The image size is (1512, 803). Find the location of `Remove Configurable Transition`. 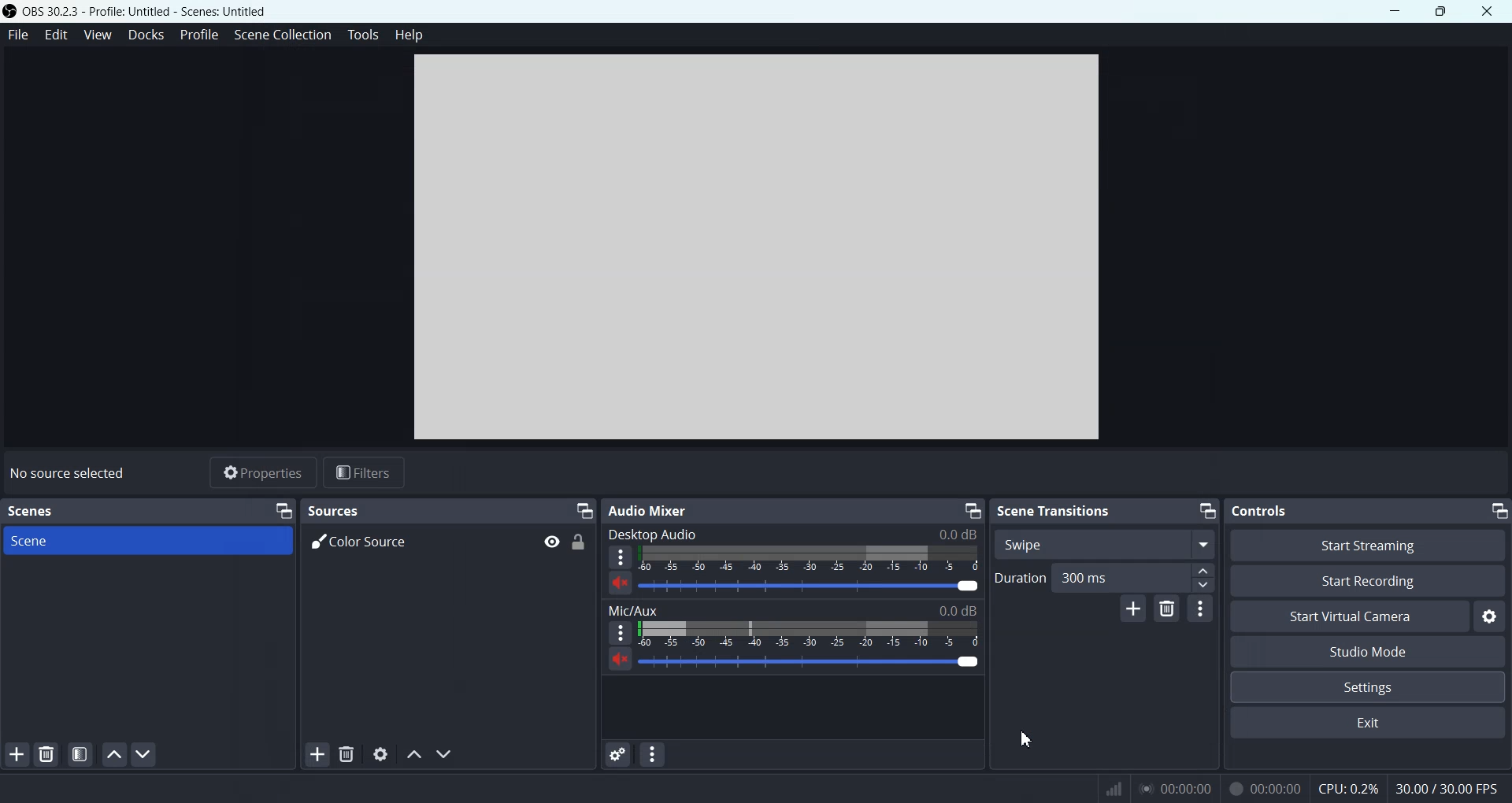

Remove Configurable Transition is located at coordinates (1167, 609).